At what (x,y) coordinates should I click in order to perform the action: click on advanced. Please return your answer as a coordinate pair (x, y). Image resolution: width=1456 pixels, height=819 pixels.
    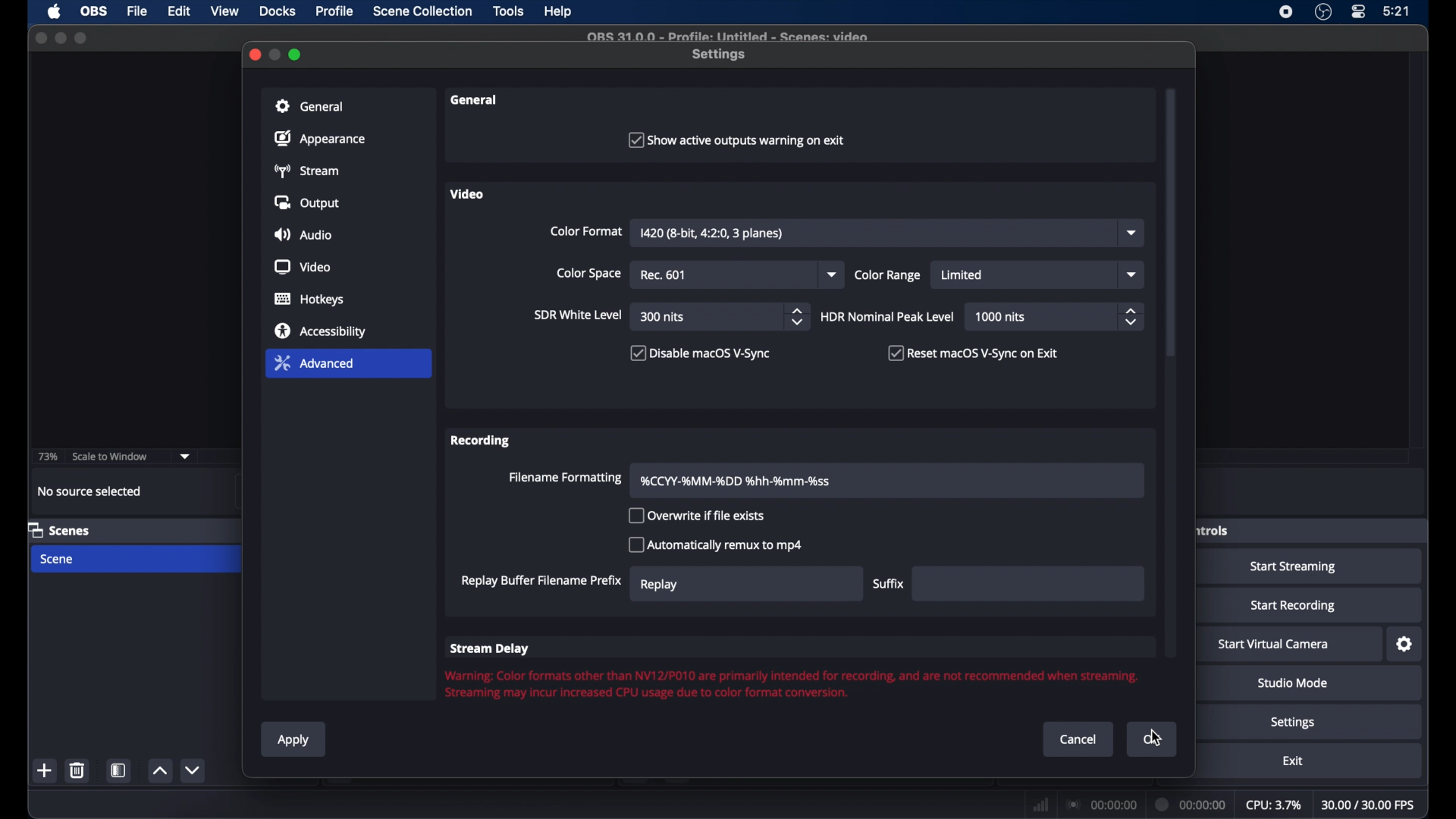
    Looking at the image, I should click on (315, 362).